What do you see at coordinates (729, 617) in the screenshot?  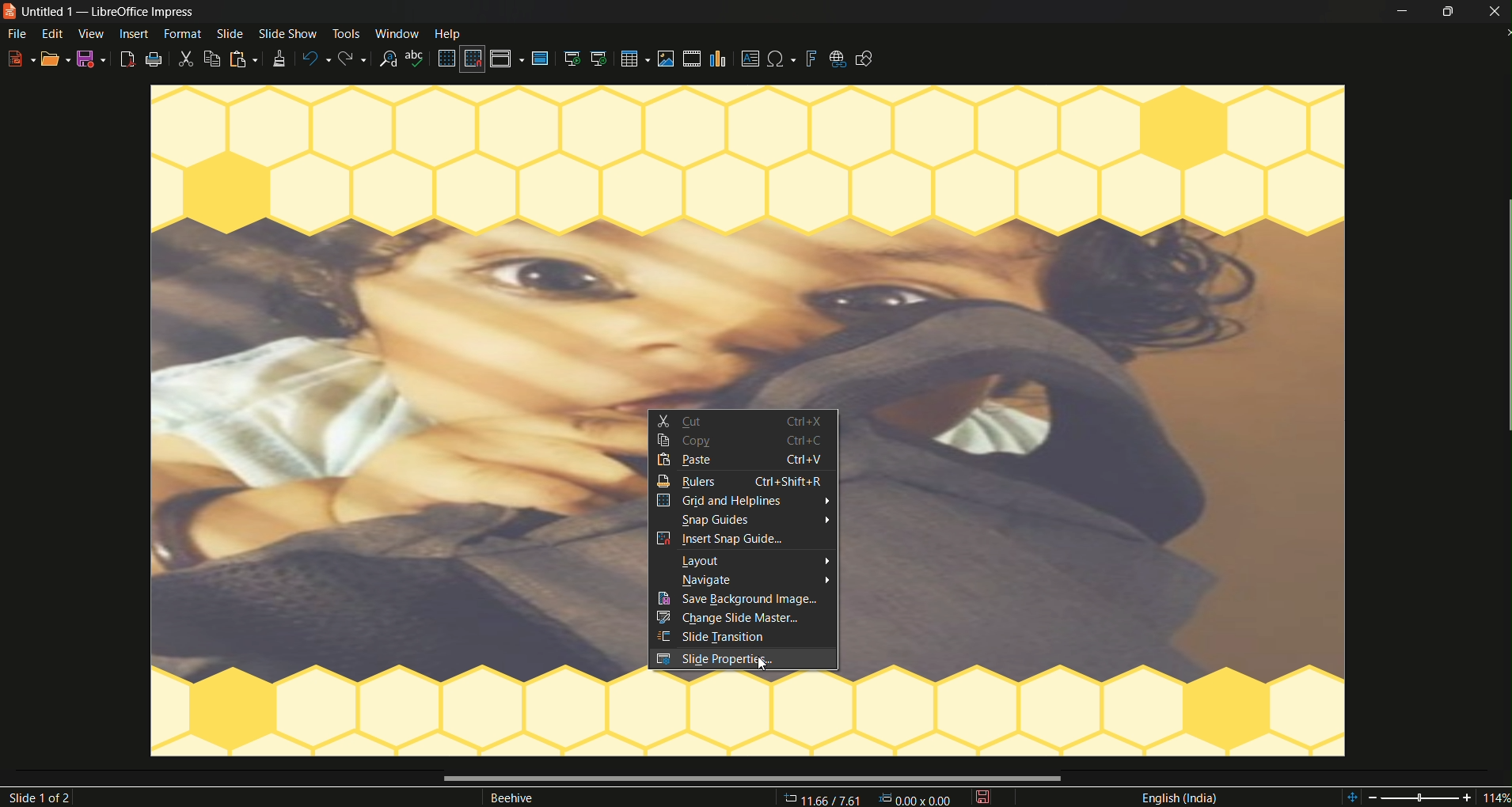 I see `change slide master` at bounding box center [729, 617].